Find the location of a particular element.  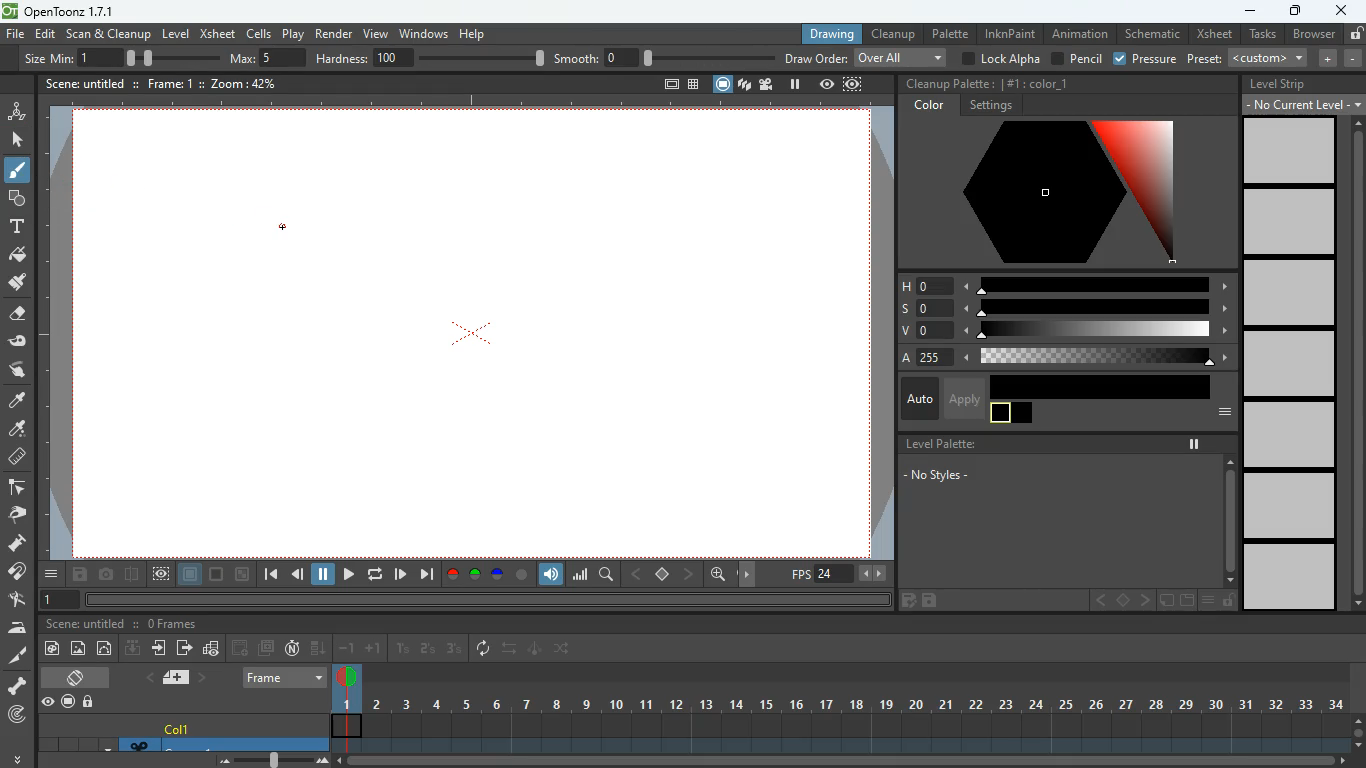

3 is located at coordinates (453, 649).